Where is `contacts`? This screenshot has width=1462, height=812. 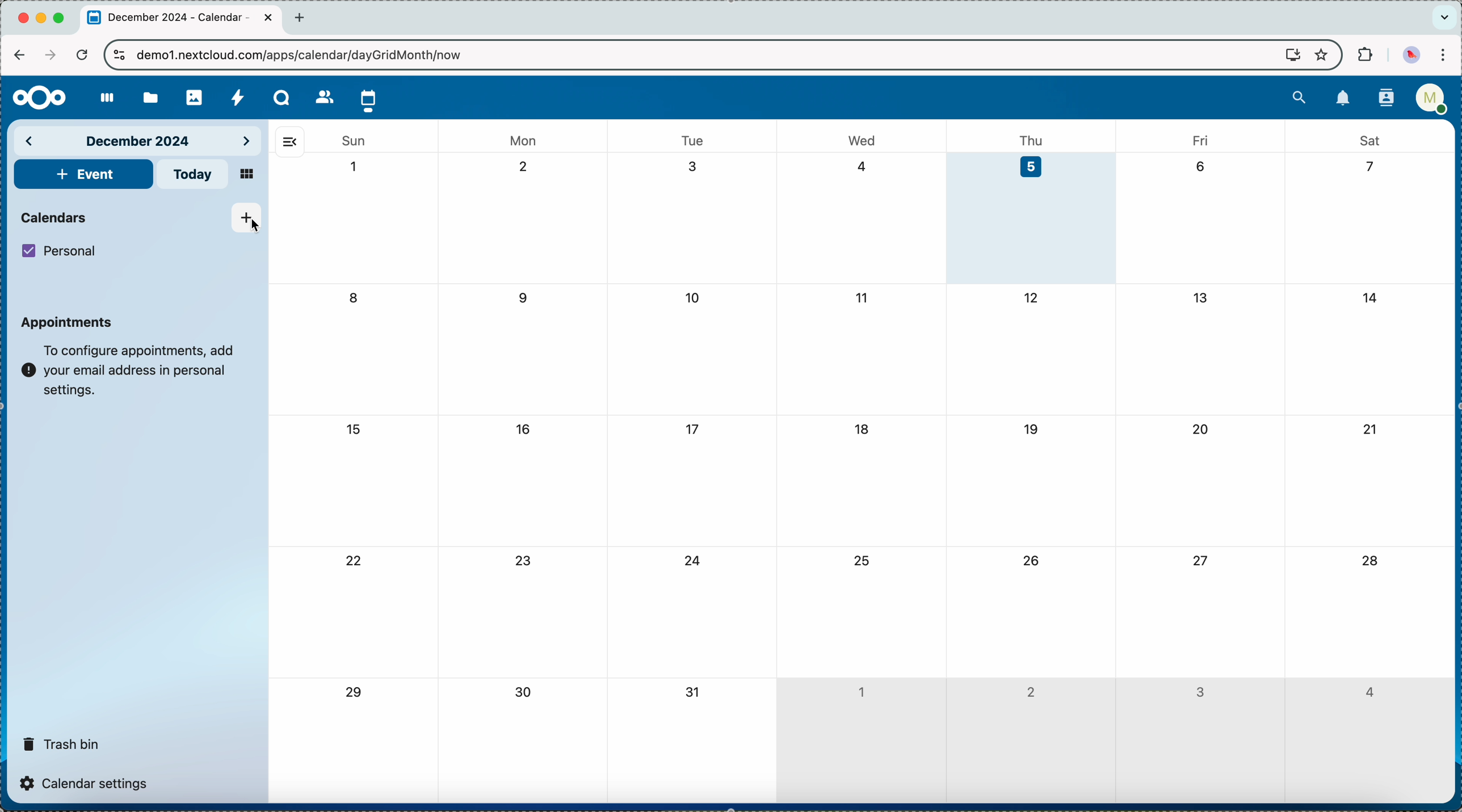
contacts is located at coordinates (321, 96).